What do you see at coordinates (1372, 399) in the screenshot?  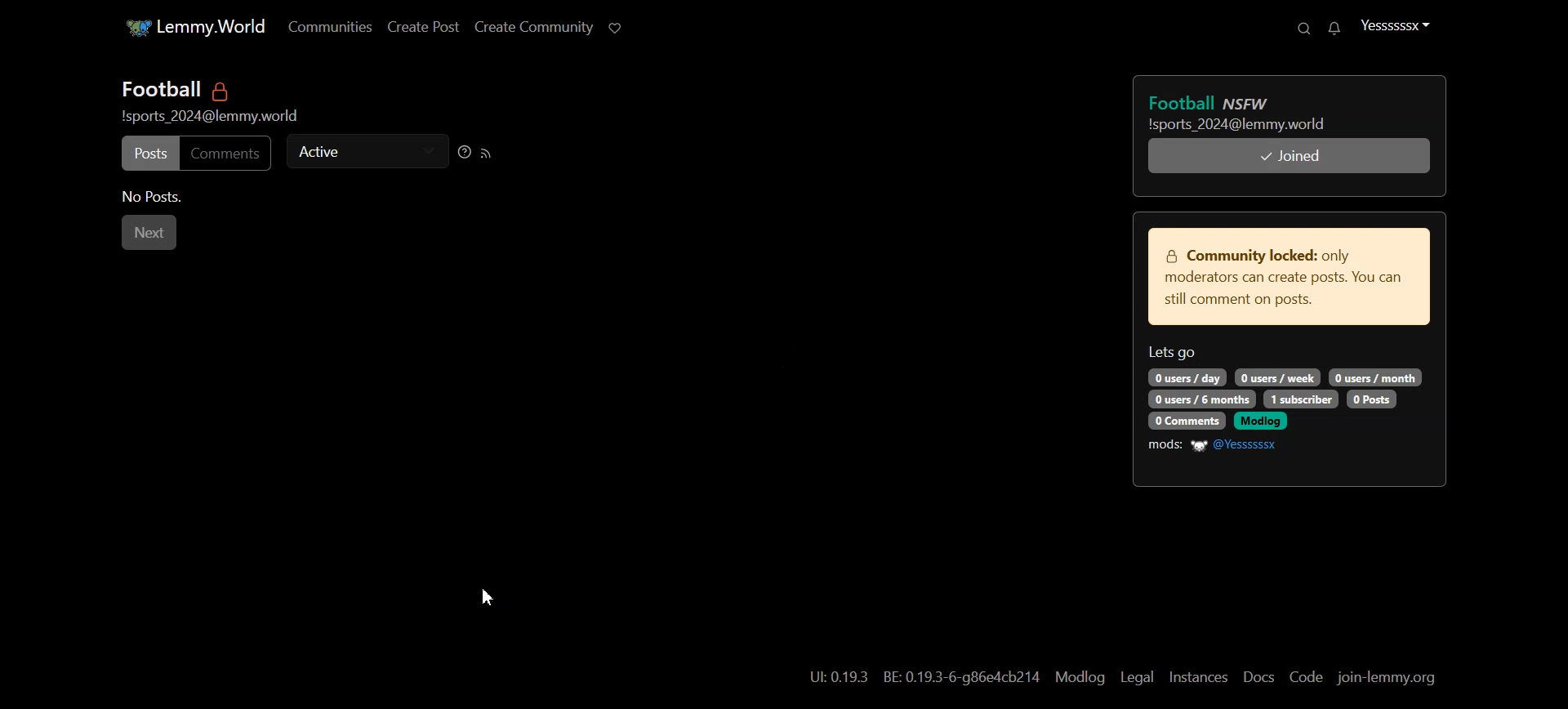 I see `text` at bounding box center [1372, 399].